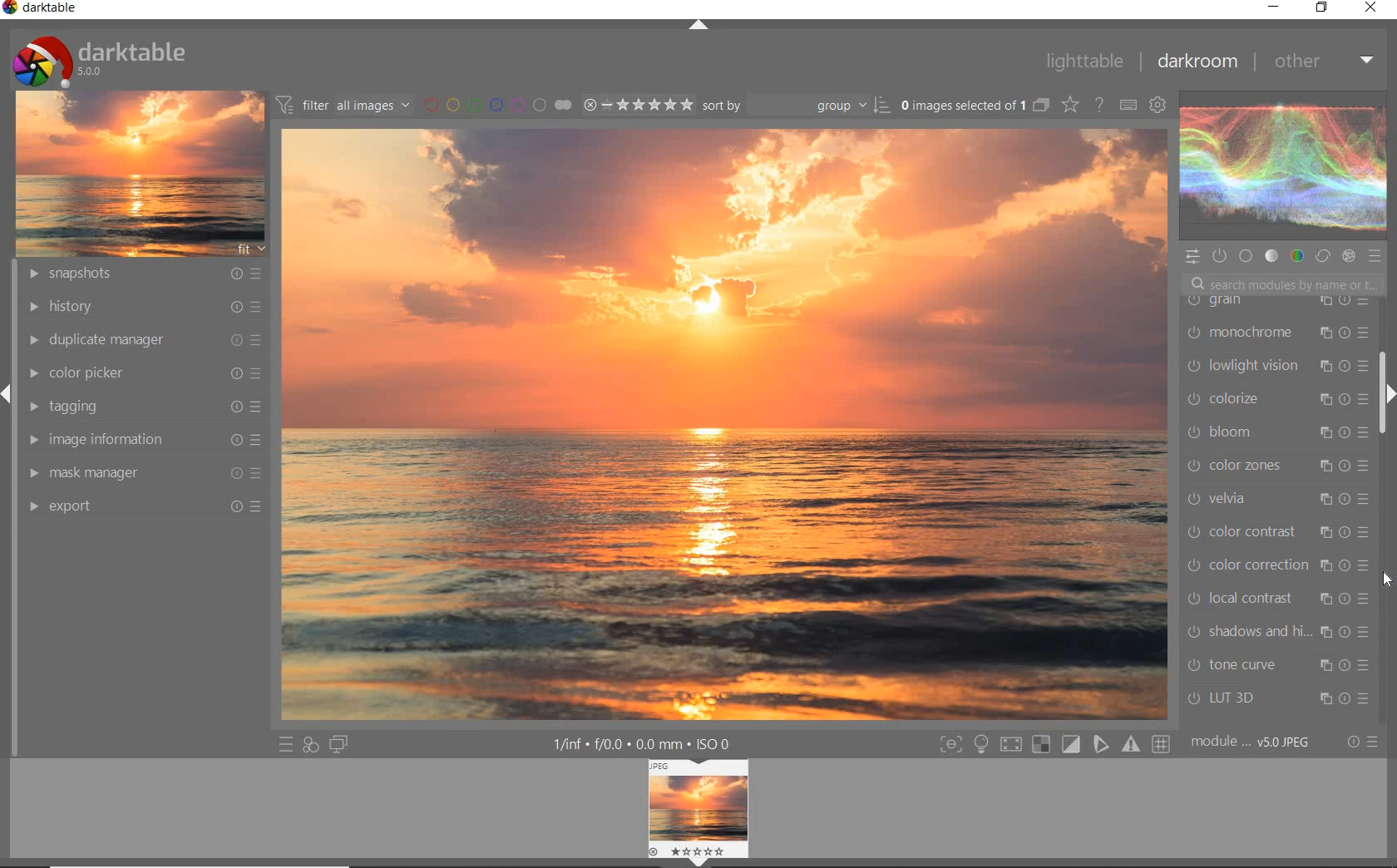 This screenshot has width=1397, height=868. Describe the element at coordinates (142, 405) in the screenshot. I see `TAGGING` at that location.